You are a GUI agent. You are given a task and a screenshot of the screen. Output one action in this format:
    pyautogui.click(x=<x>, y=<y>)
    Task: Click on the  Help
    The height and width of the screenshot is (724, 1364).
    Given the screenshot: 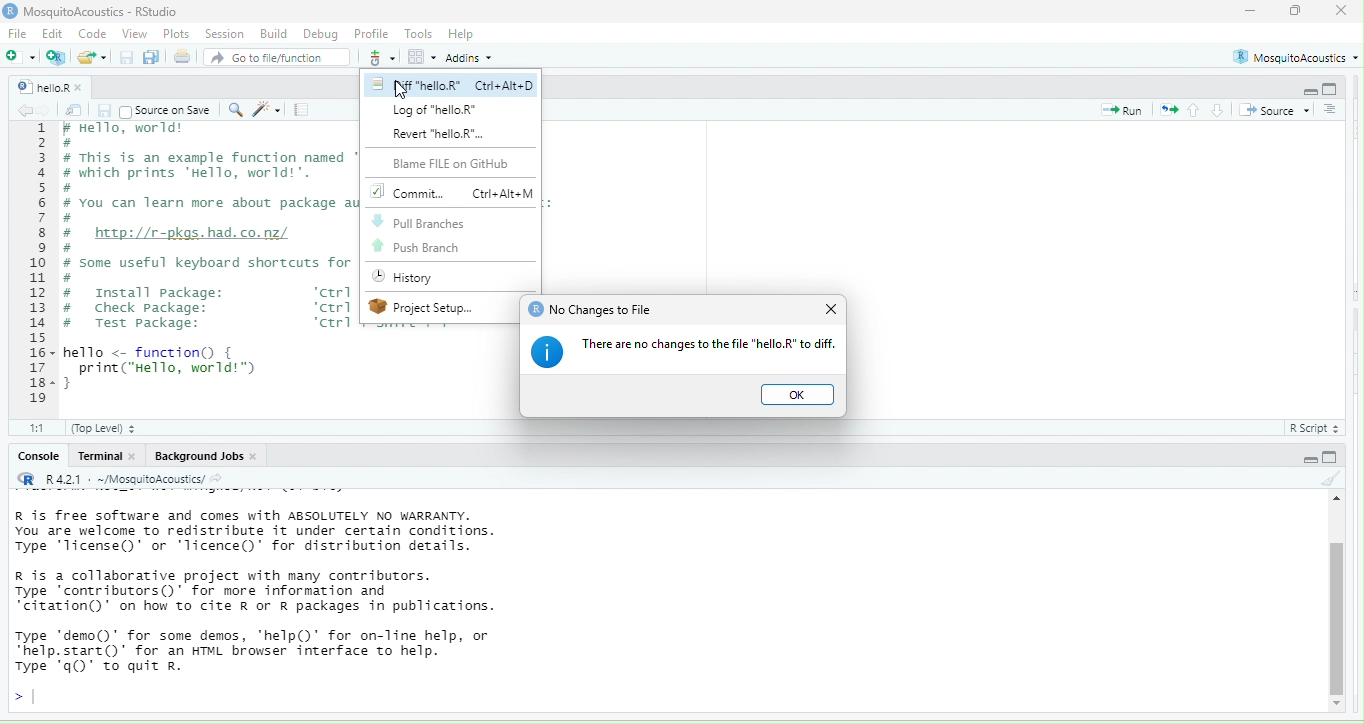 What is the action you would take?
    pyautogui.click(x=463, y=34)
    